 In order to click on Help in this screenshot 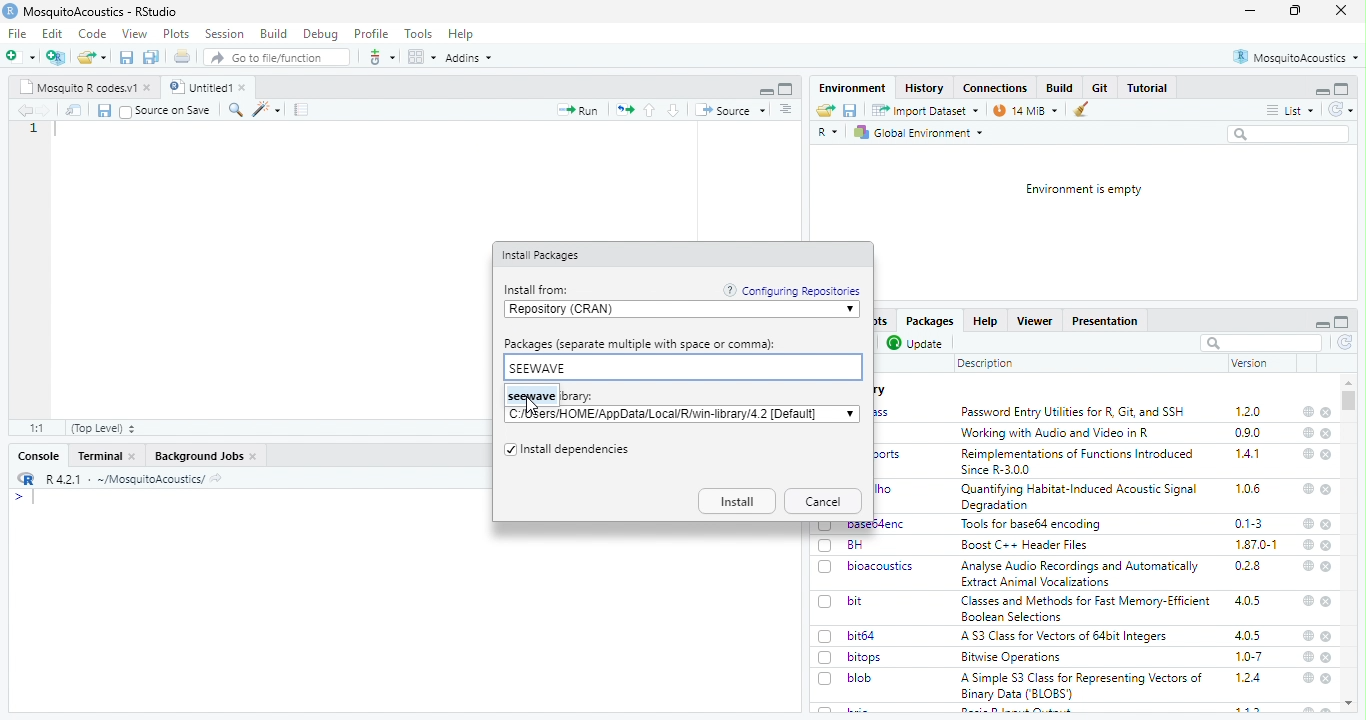, I will do `click(462, 35)`.